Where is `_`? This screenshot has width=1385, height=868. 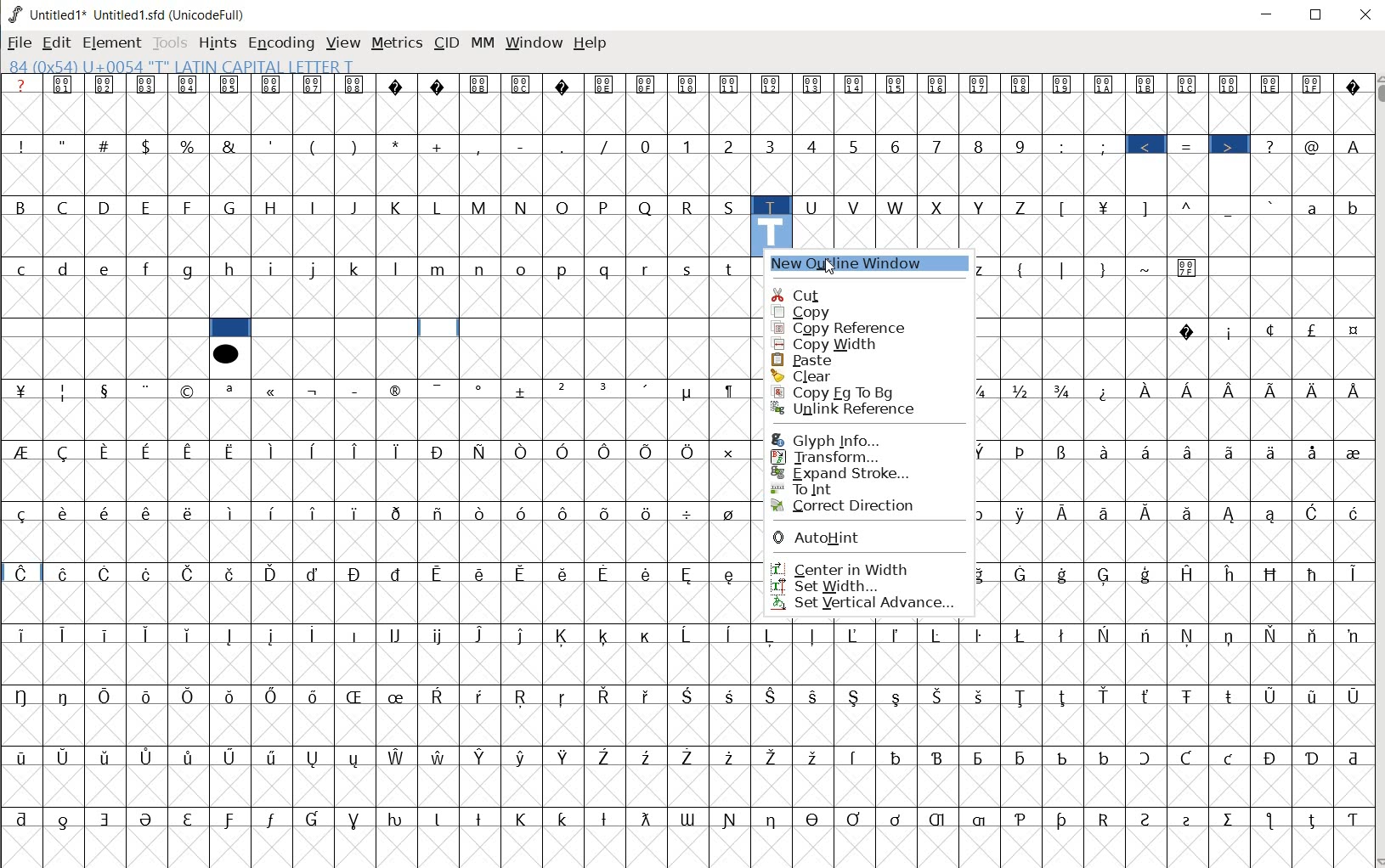 _ is located at coordinates (1230, 208).